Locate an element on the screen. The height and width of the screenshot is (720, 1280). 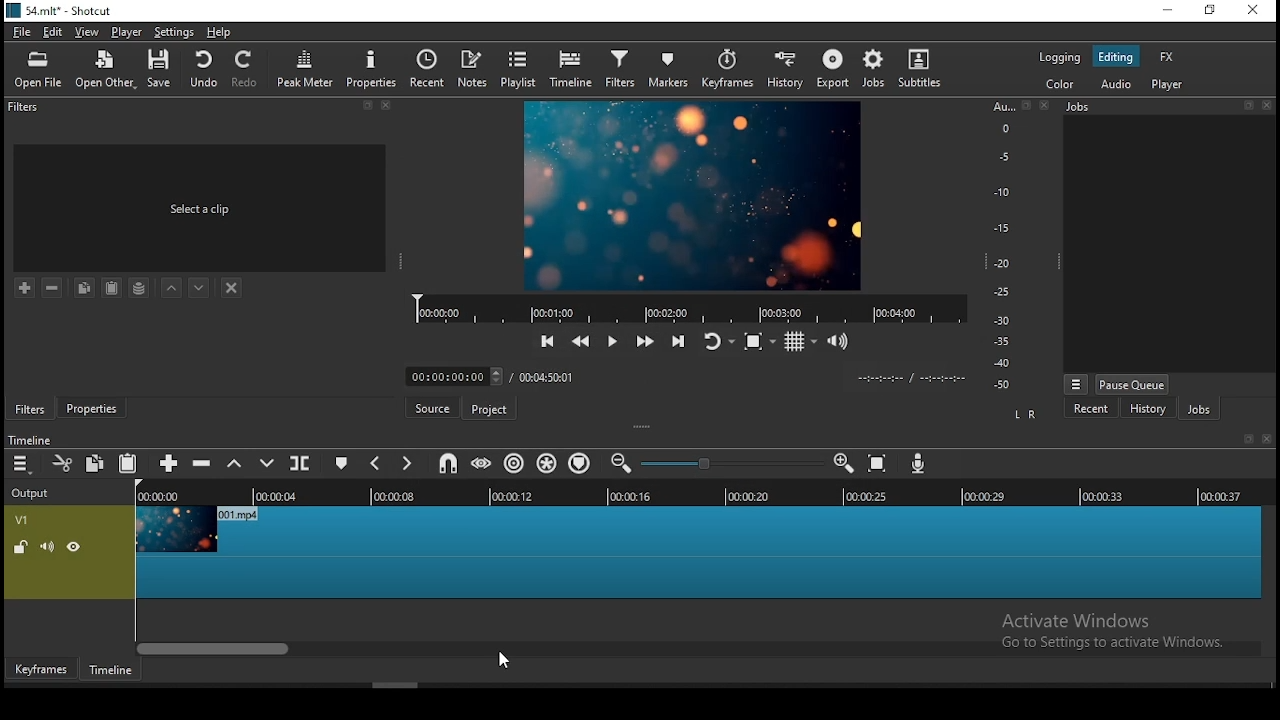
restore is located at coordinates (1208, 11).